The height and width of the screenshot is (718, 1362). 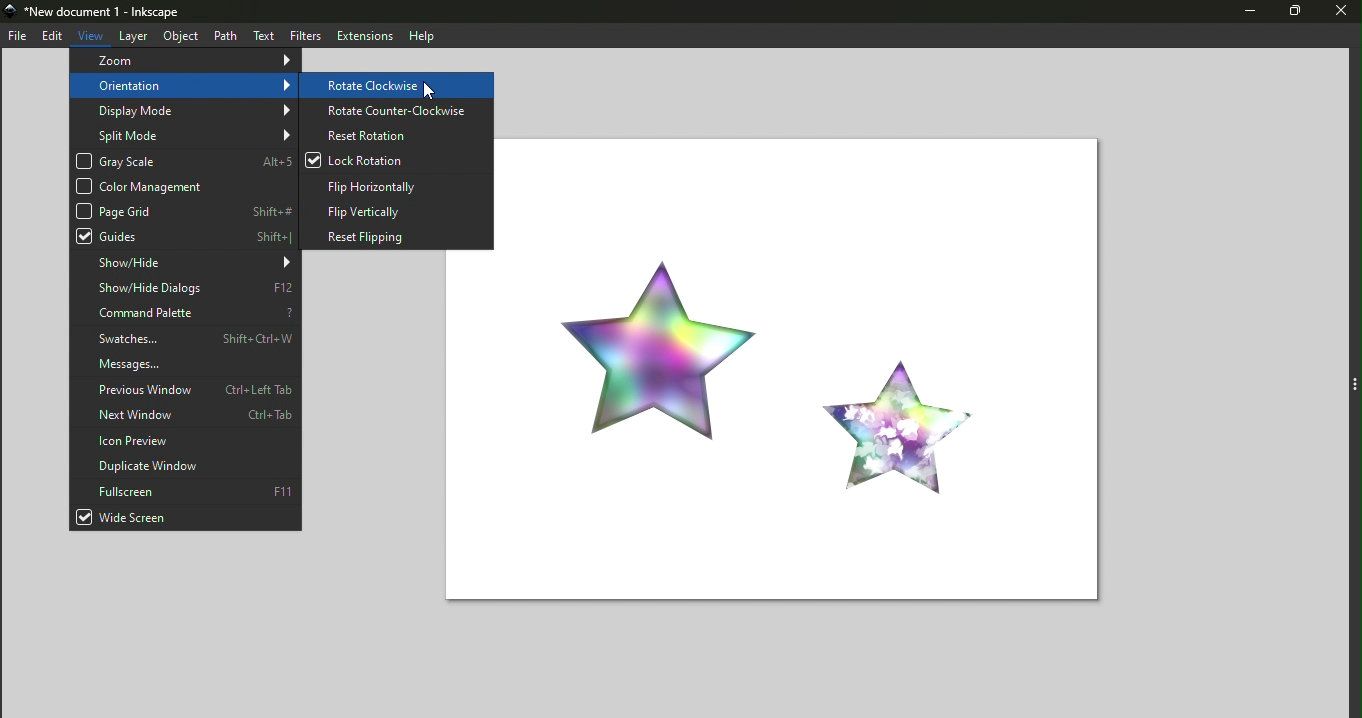 What do you see at coordinates (186, 364) in the screenshot?
I see `Messages` at bounding box center [186, 364].